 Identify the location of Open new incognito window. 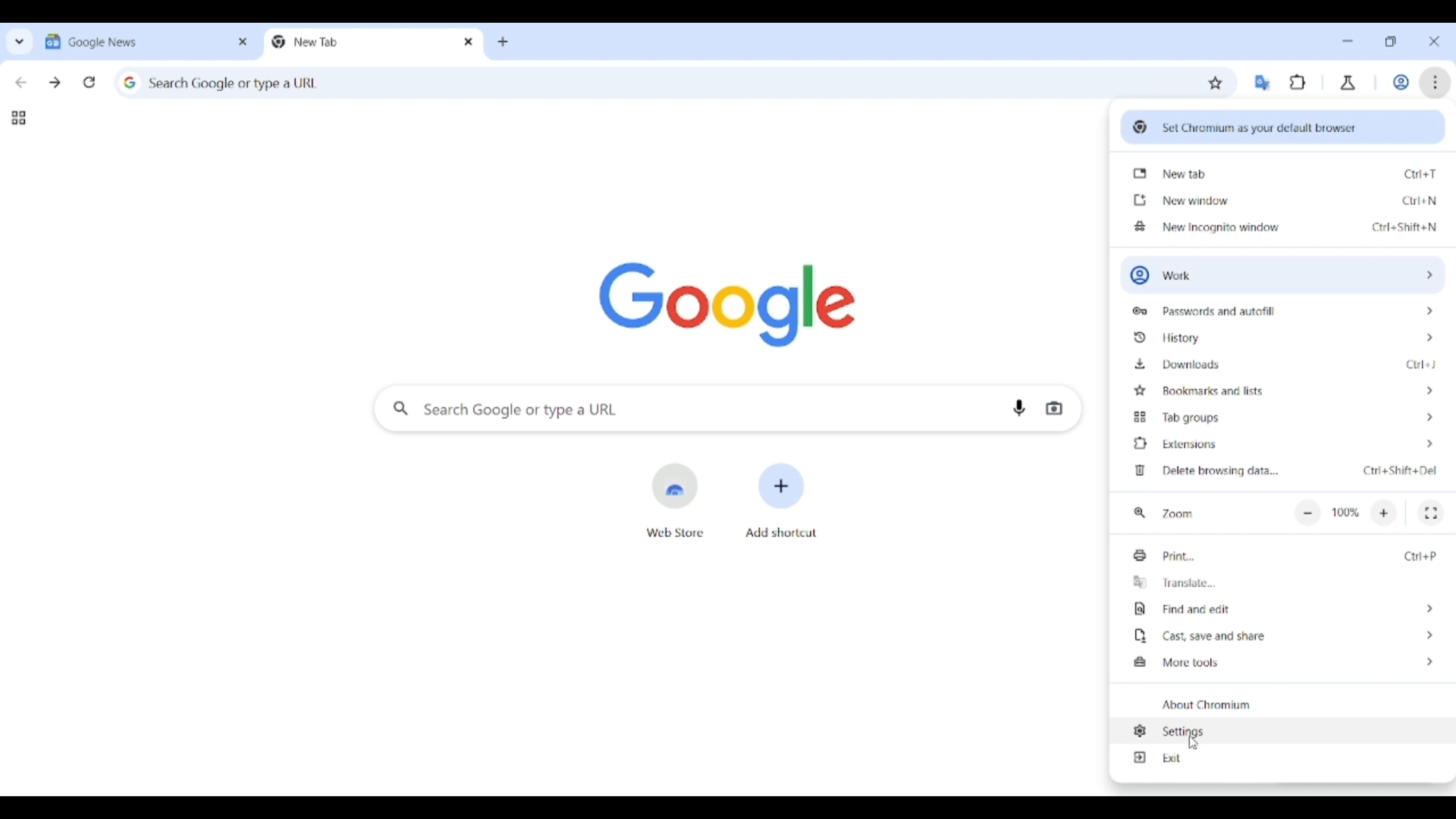
(1282, 225).